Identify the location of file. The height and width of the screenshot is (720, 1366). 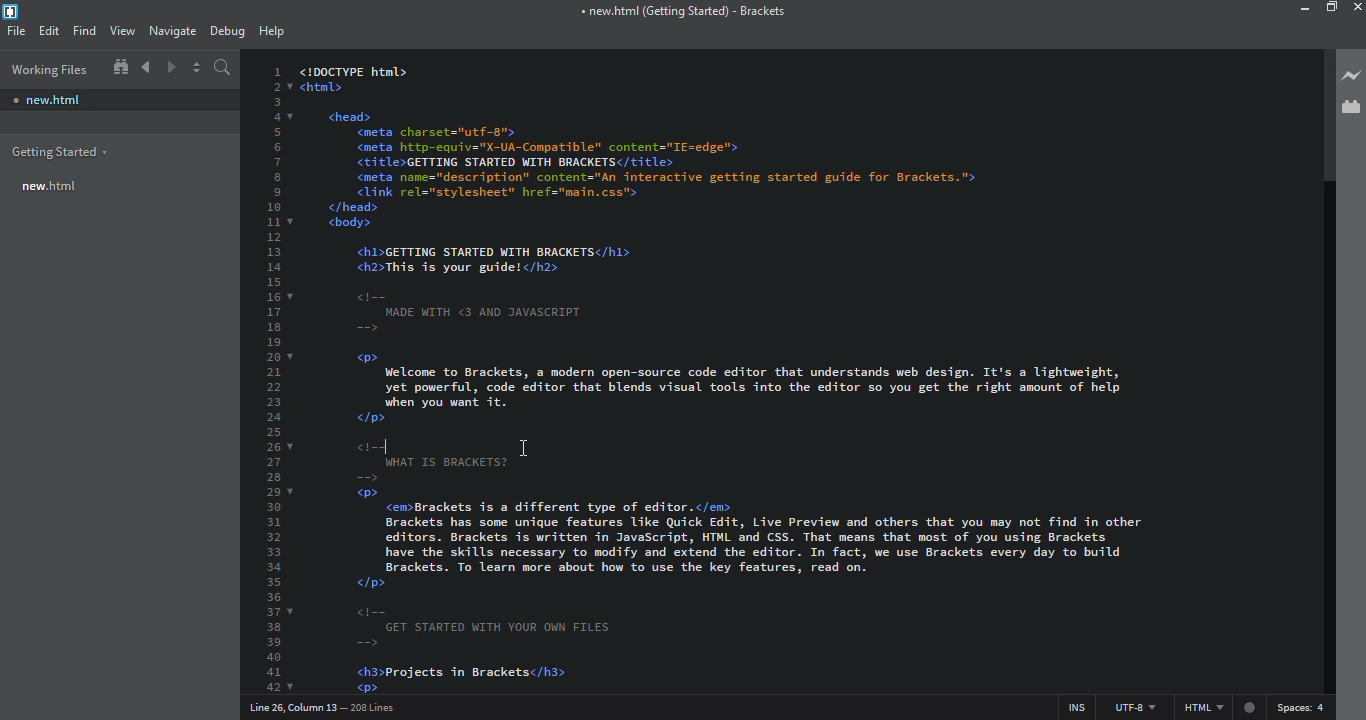
(17, 30).